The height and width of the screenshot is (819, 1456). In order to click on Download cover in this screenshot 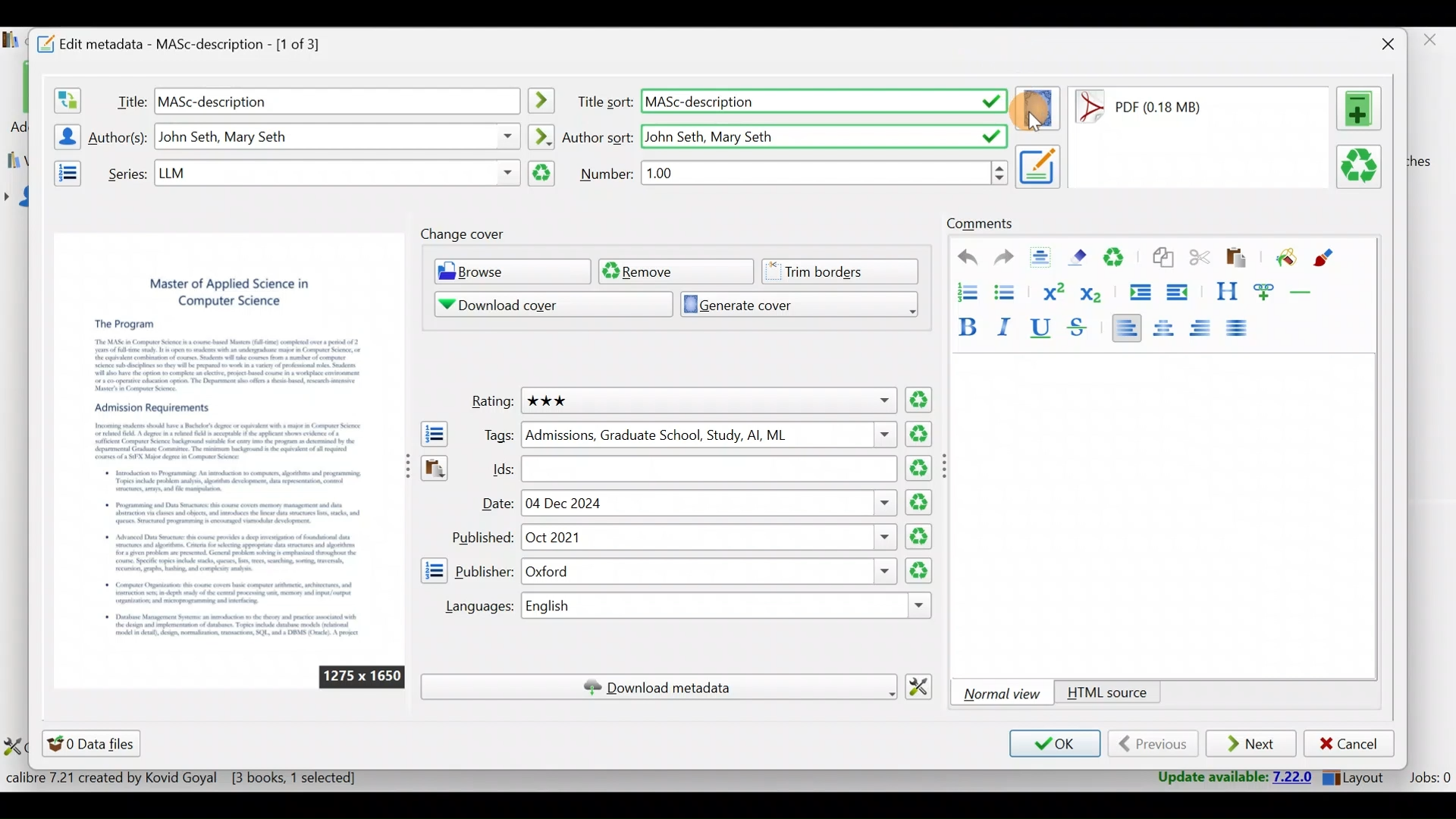, I will do `click(542, 304)`.